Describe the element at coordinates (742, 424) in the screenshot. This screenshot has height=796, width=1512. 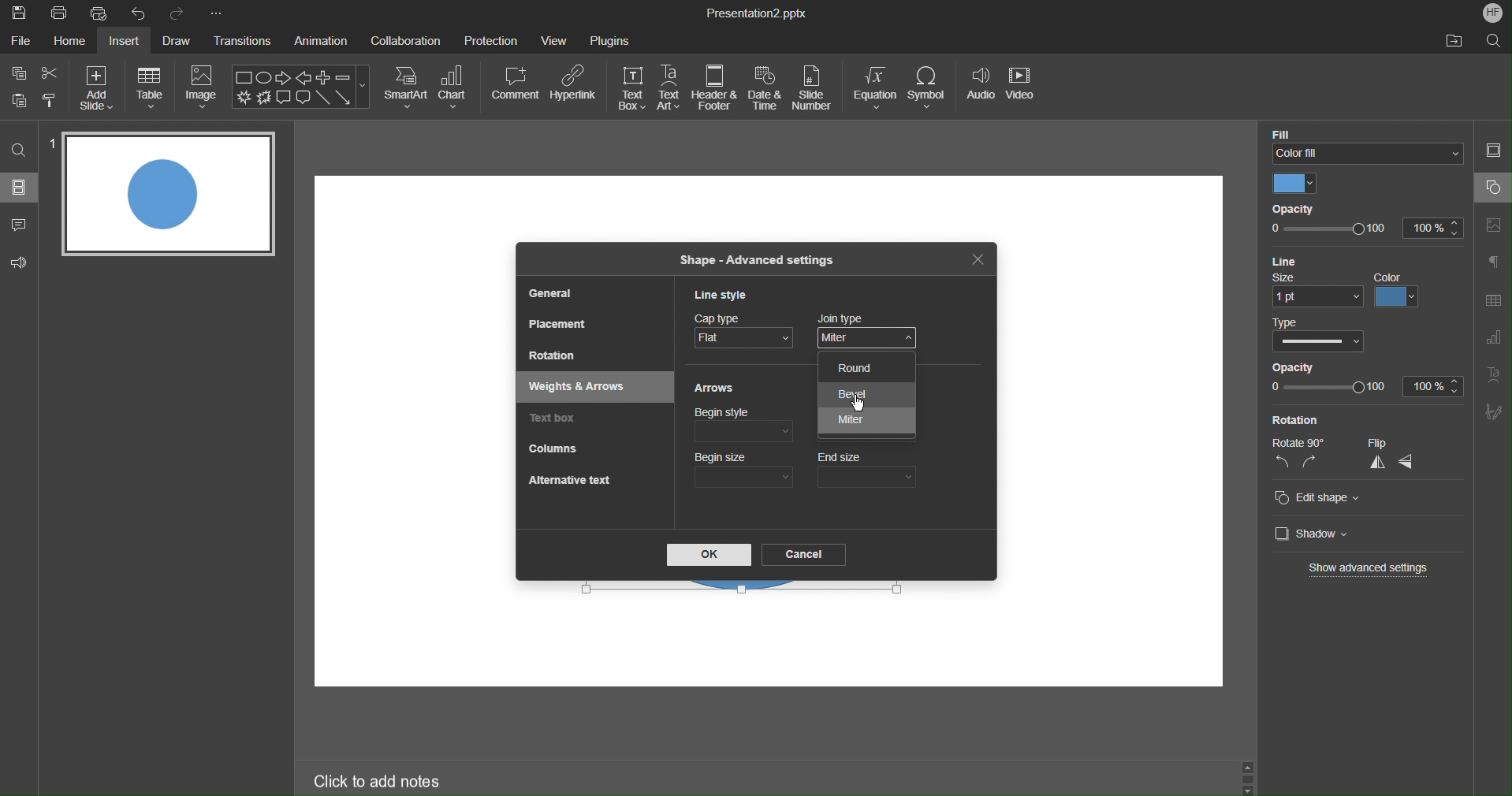
I see `Begin style` at that location.